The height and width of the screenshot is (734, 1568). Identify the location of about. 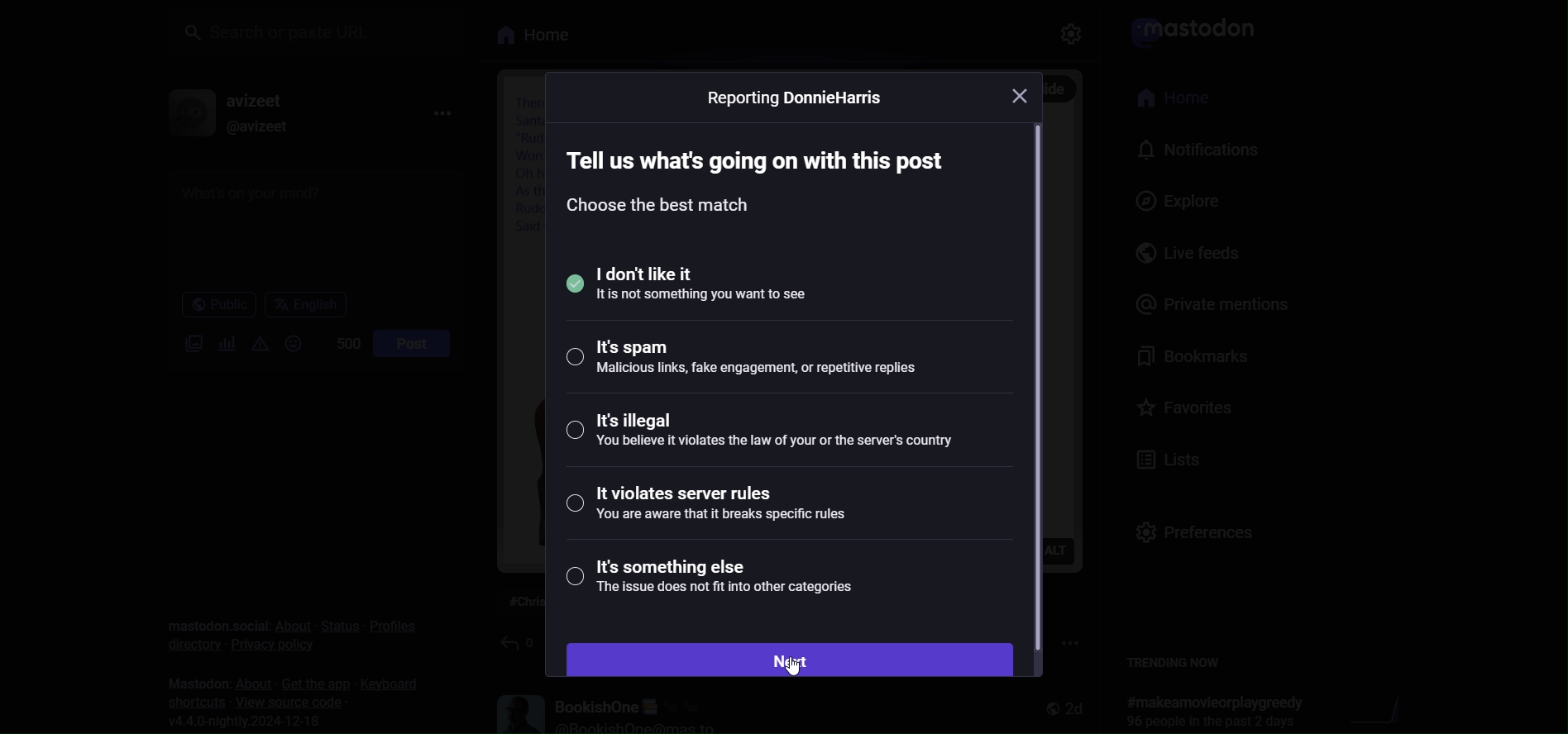
(248, 682).